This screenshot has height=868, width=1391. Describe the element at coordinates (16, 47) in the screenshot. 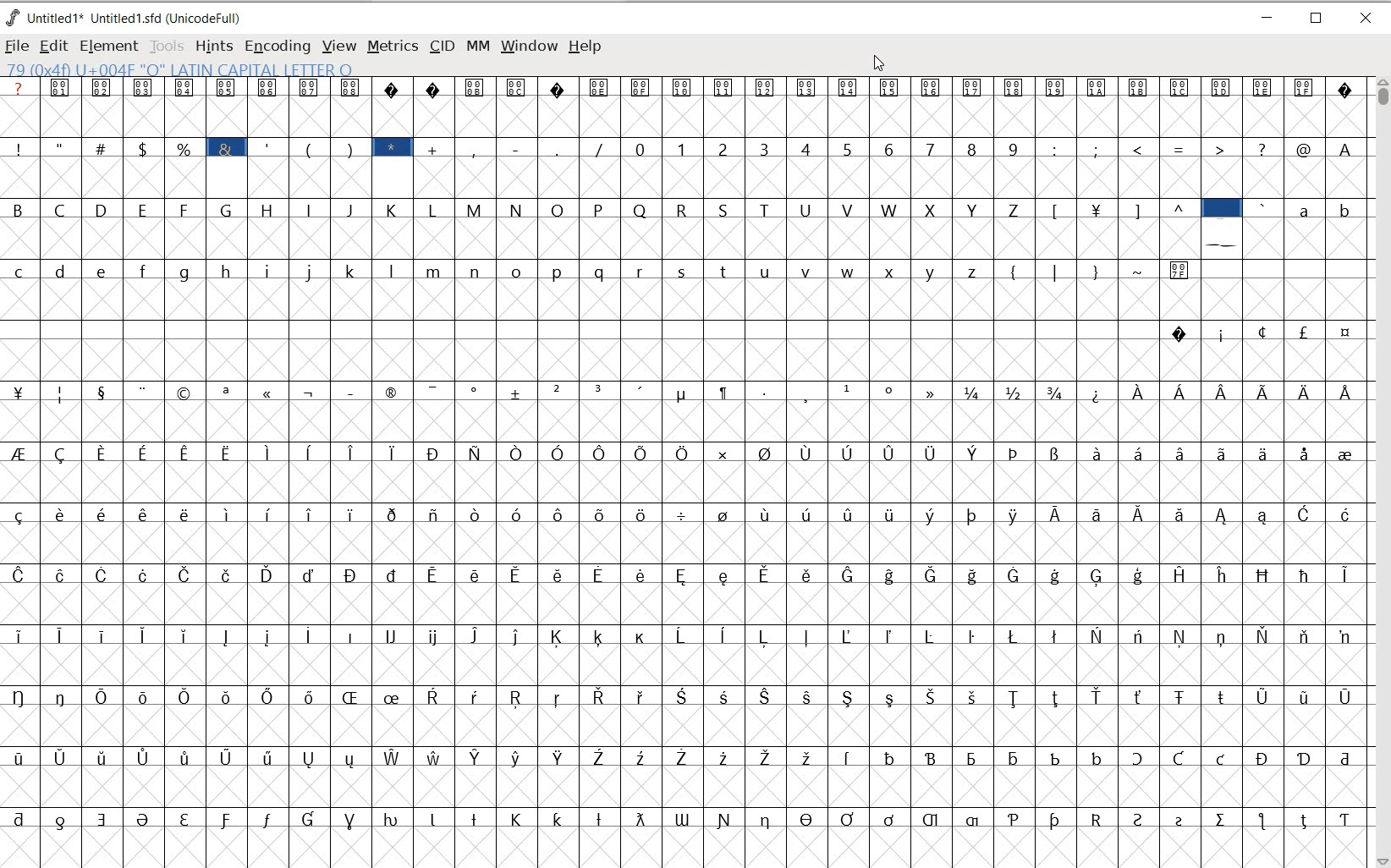

I see `FILE` at that location.